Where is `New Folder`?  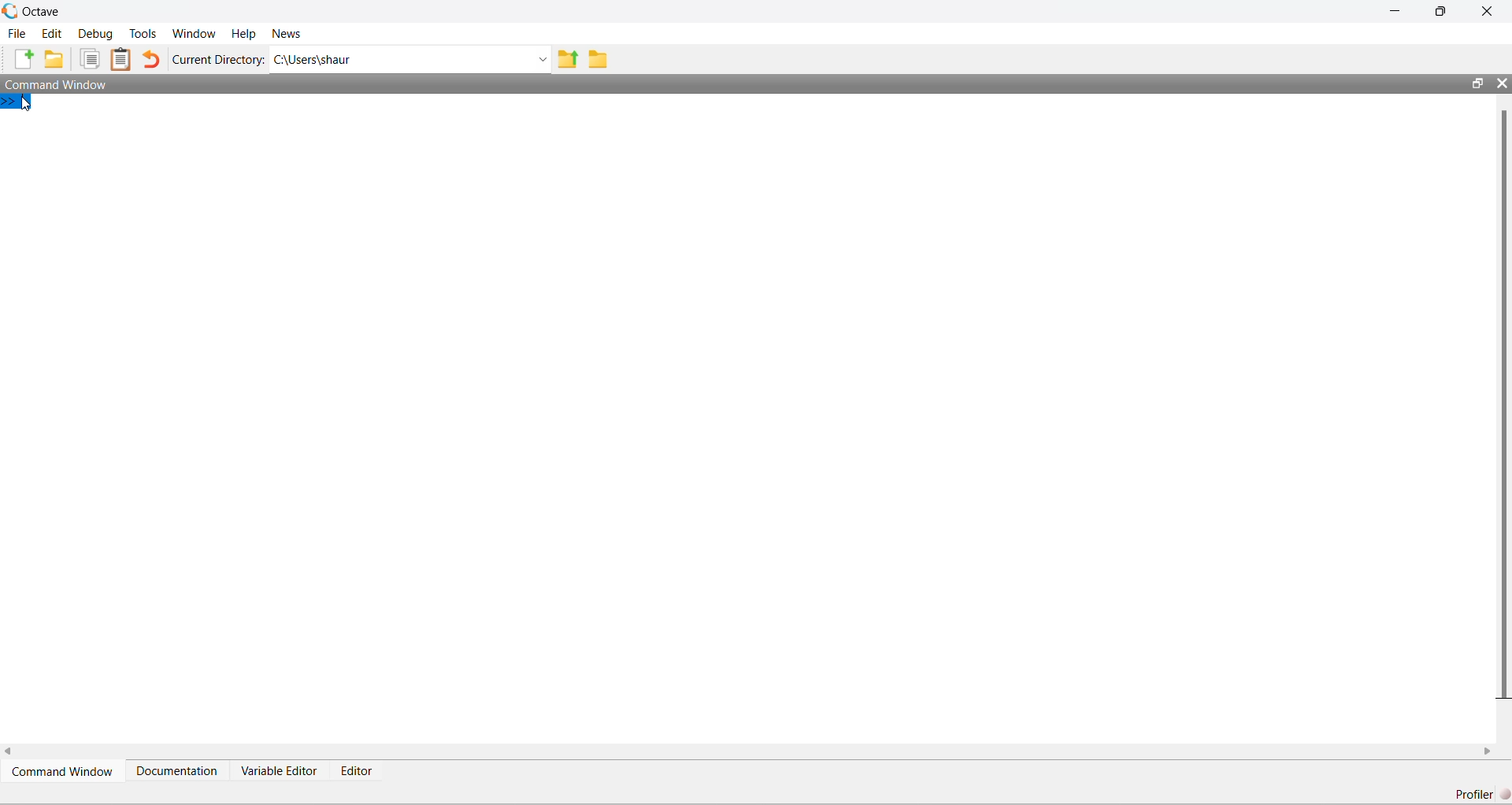 New Folder is located at coordinates (55, 59).